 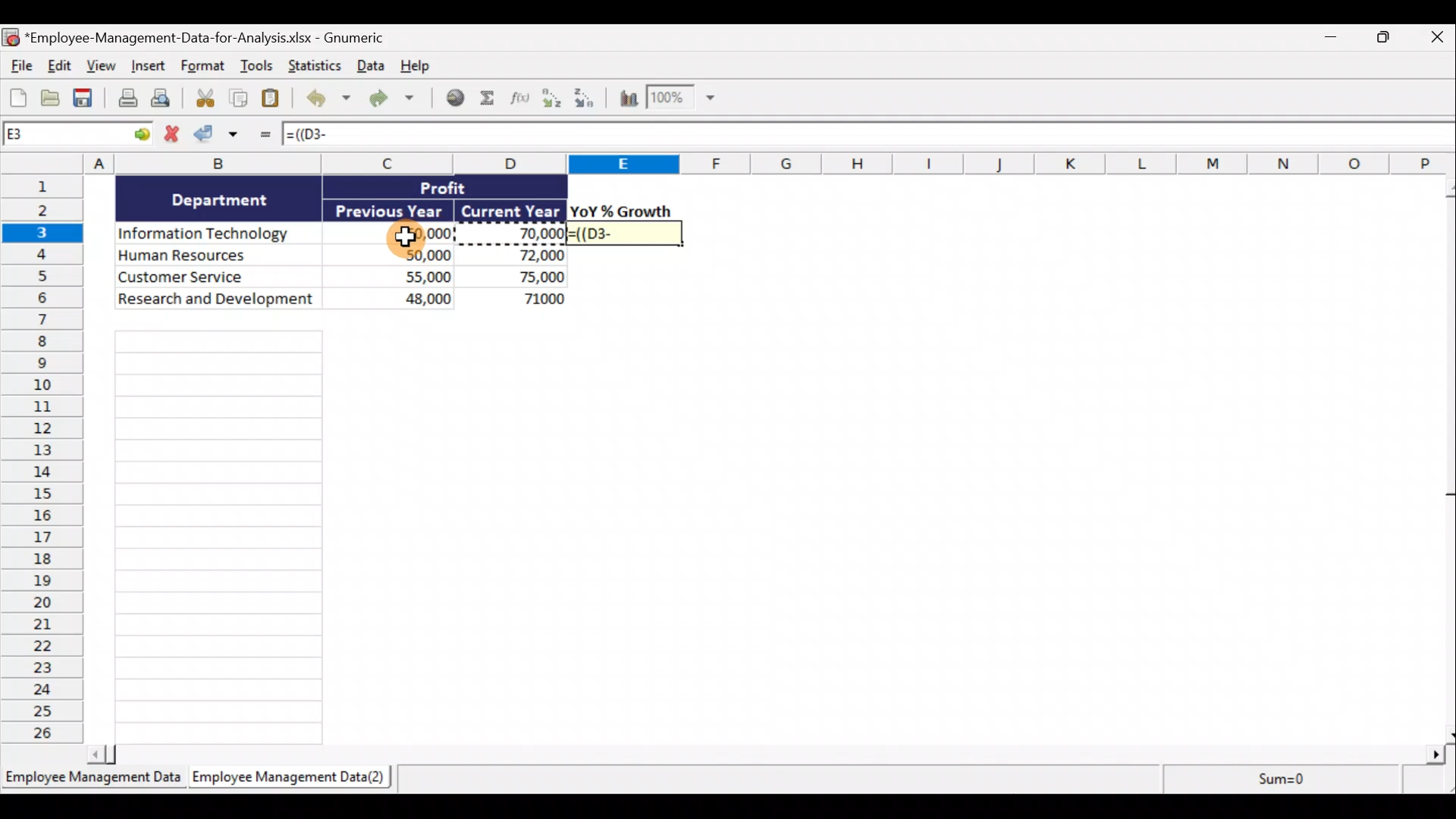 What do you see at coordinates (86, 99) in the screenshot?
I see `Save the current workbook` at bounding box center [86, 99].